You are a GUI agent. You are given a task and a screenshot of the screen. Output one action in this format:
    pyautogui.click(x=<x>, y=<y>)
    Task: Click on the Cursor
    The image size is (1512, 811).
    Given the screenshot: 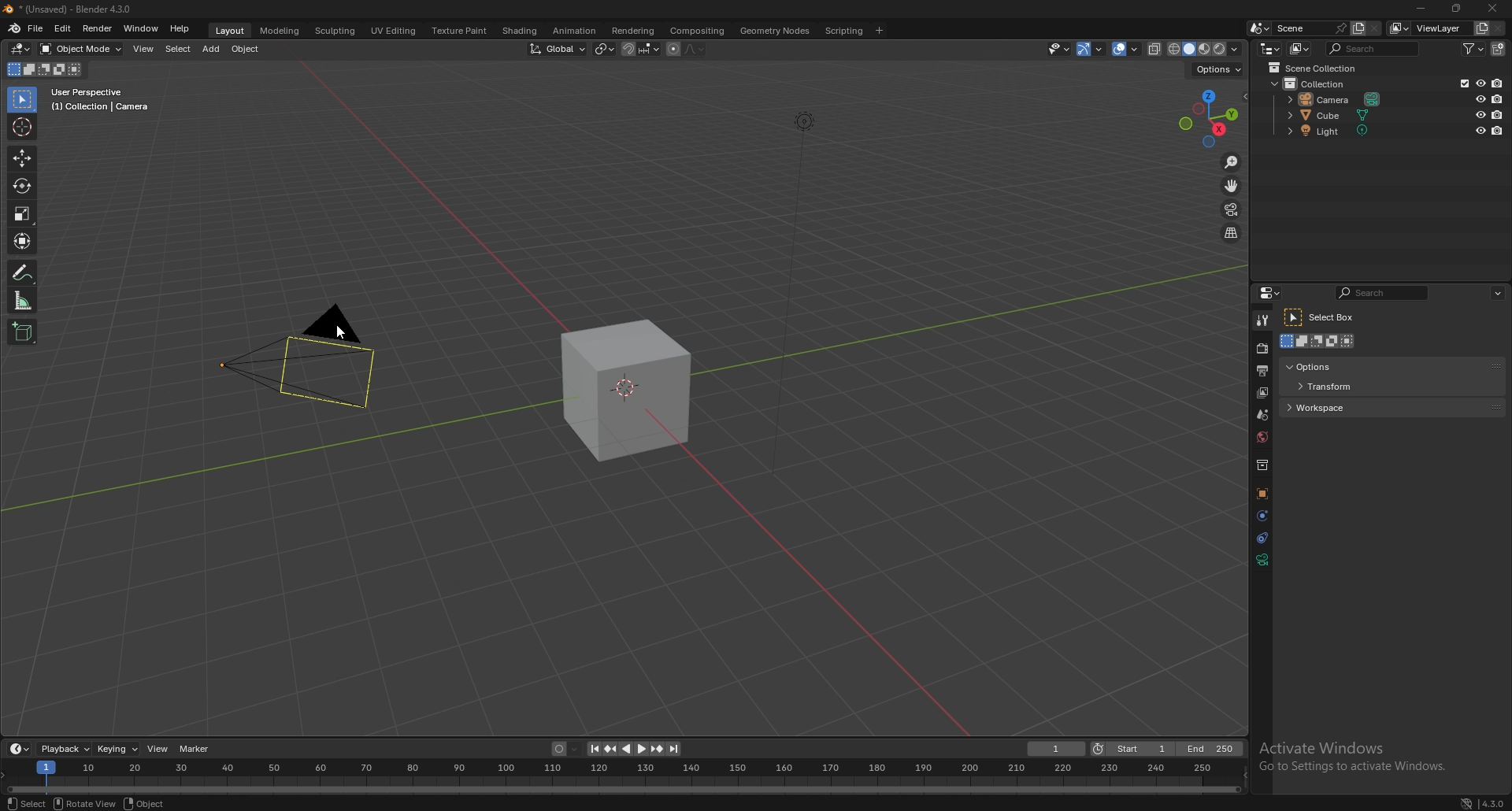 What is the action you would take?
    pyautogui.click(x=339, y=335)
    